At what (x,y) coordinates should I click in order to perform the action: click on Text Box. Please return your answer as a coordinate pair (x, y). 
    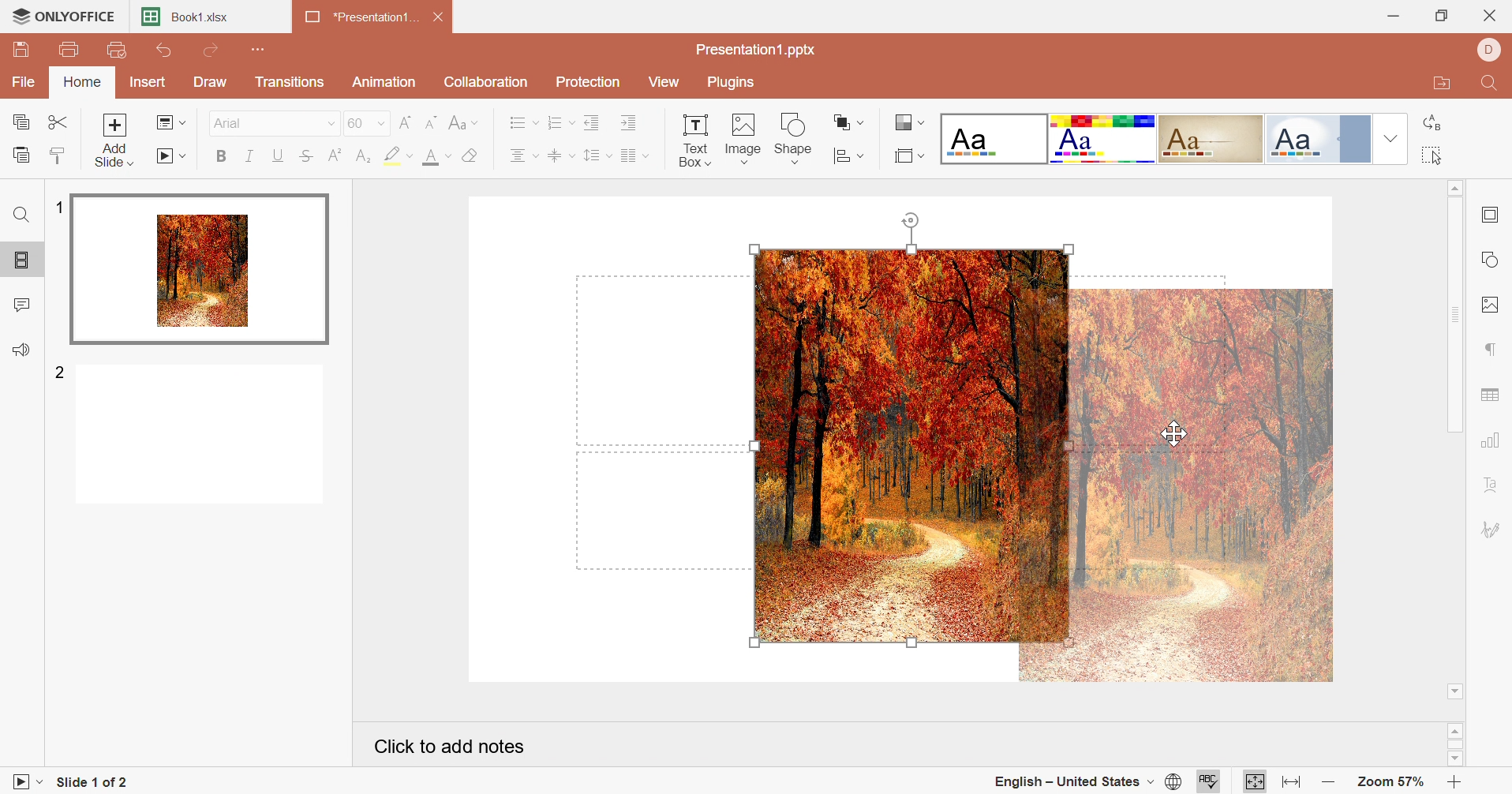
    Looking at the image, I should click on (687, 139).